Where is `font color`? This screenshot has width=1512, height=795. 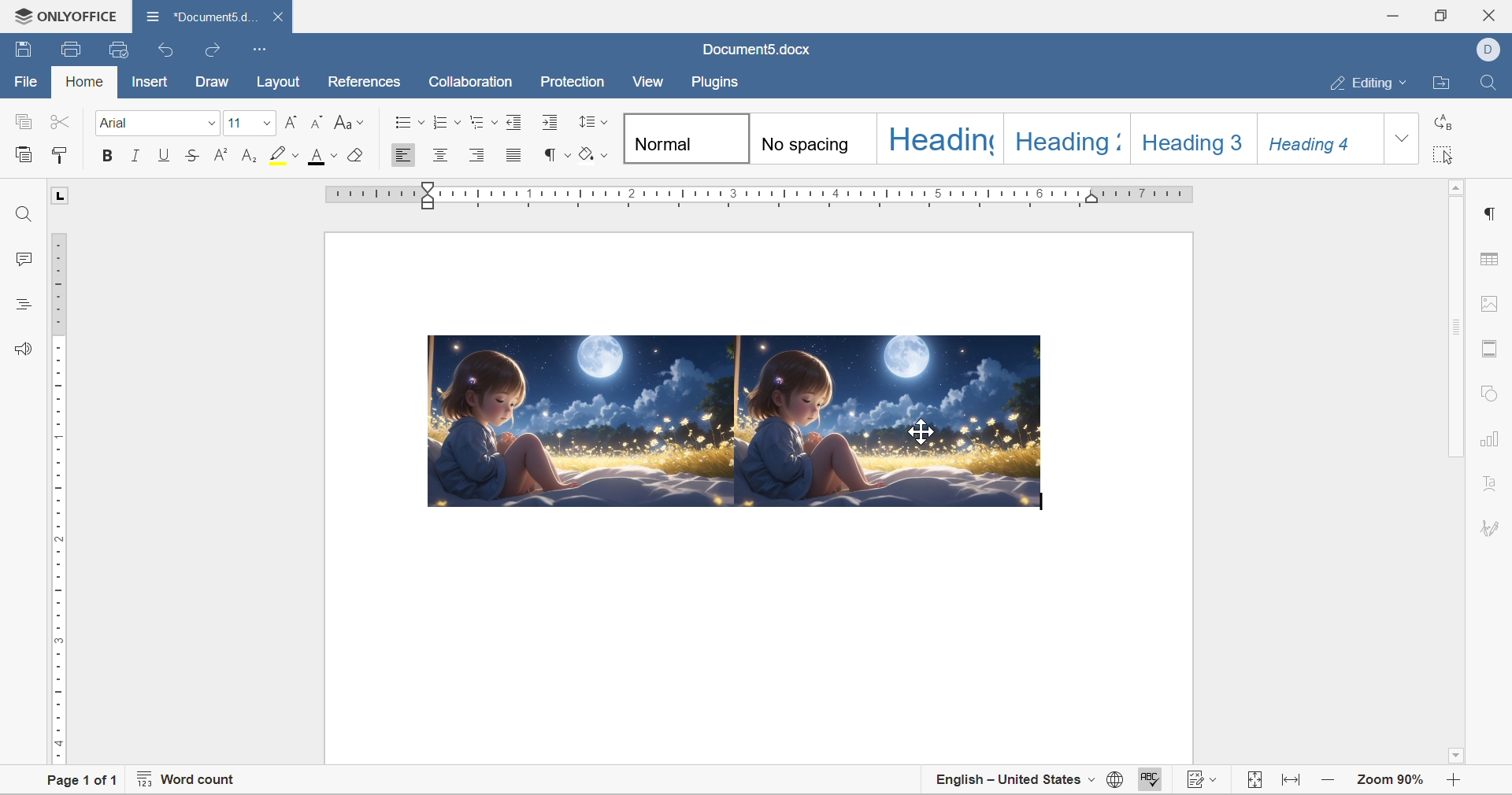 font color is located at coordinates (324, 155).